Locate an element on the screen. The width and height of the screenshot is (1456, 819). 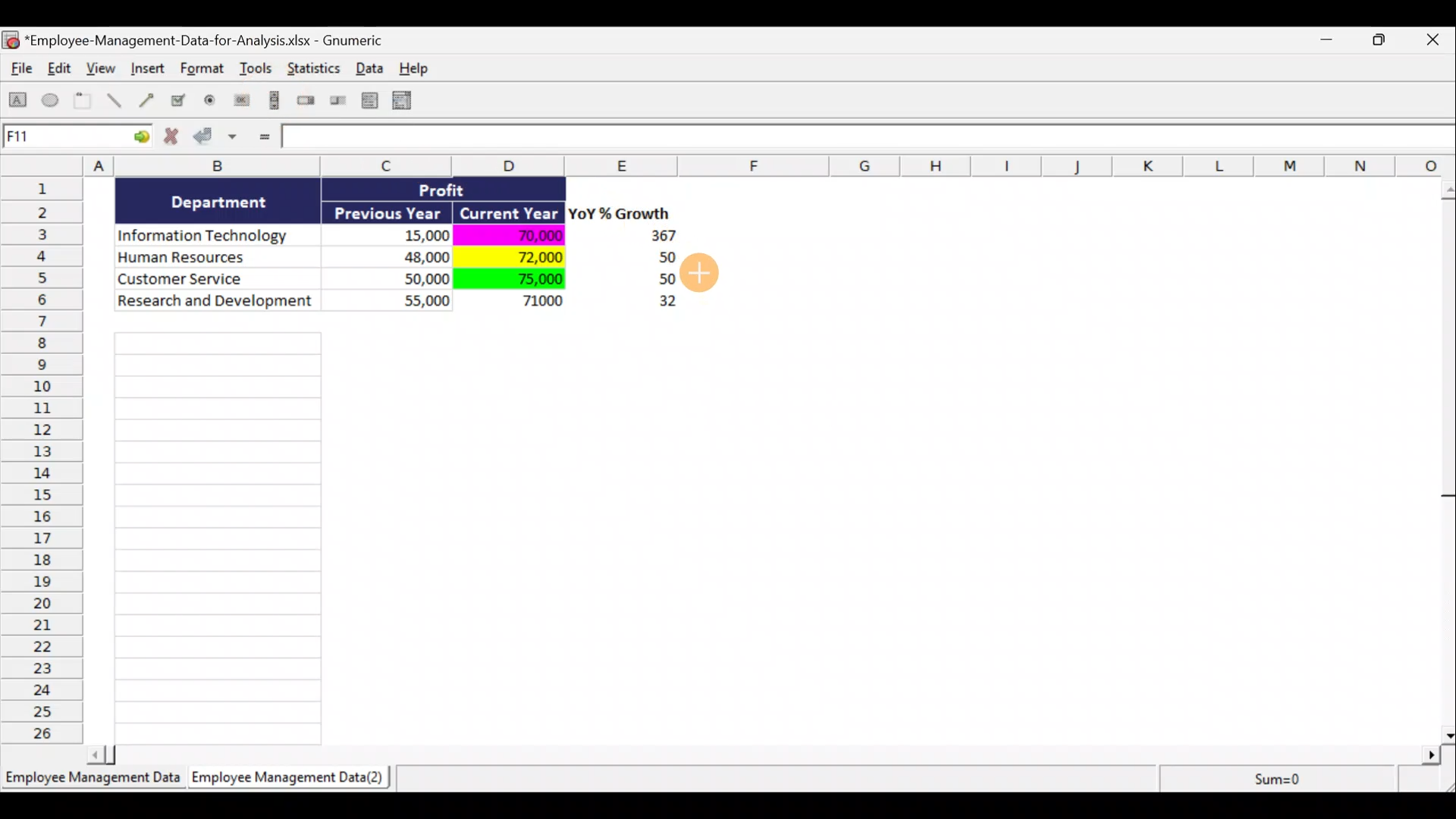
Edit is located at coordinates (61, 70).